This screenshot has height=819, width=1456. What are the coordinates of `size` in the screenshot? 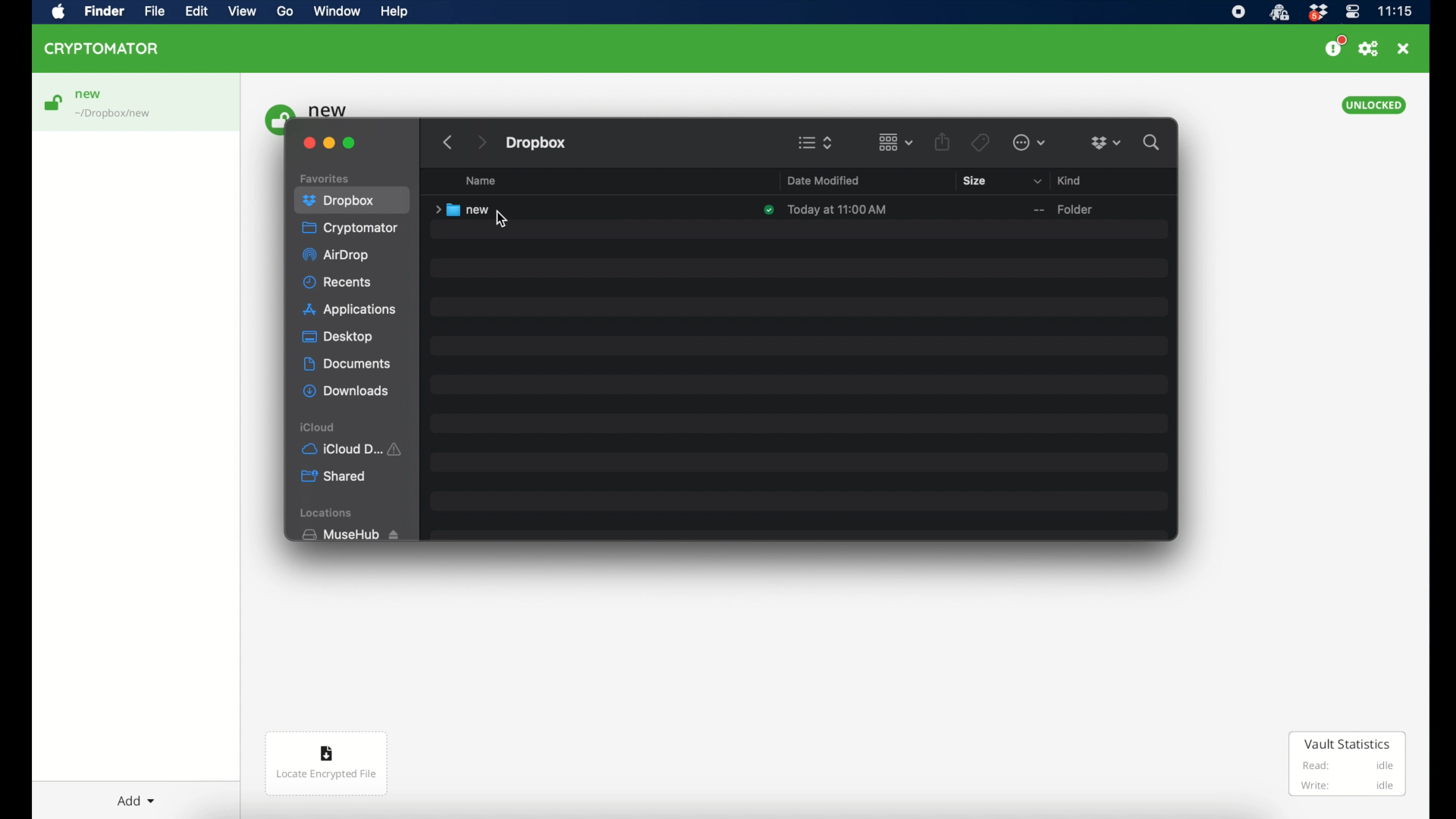 It's located at (1016, 210).